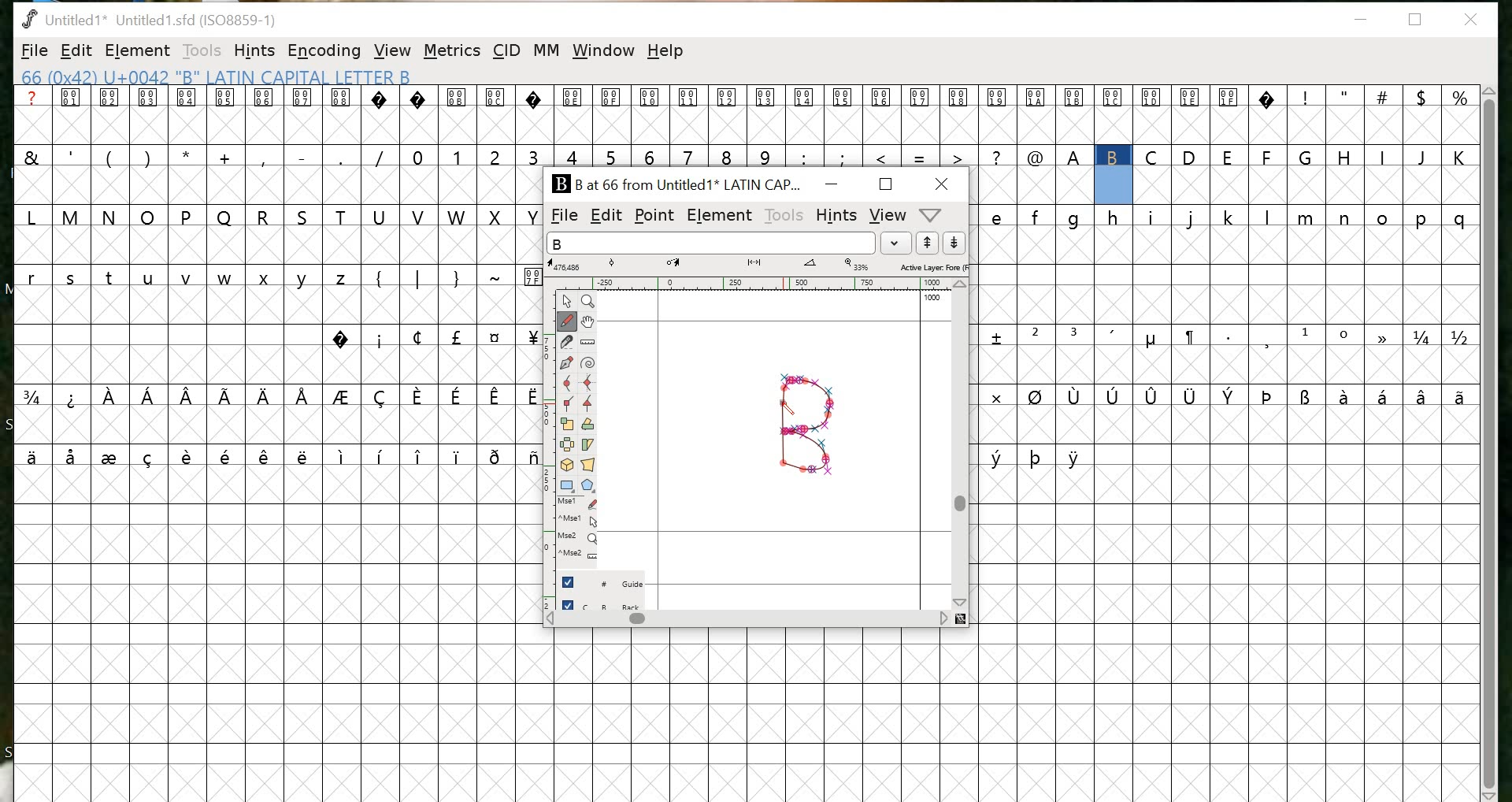  Describe the element at coordinates (587, 447) in the screenshot. I see `Skew` at that location.